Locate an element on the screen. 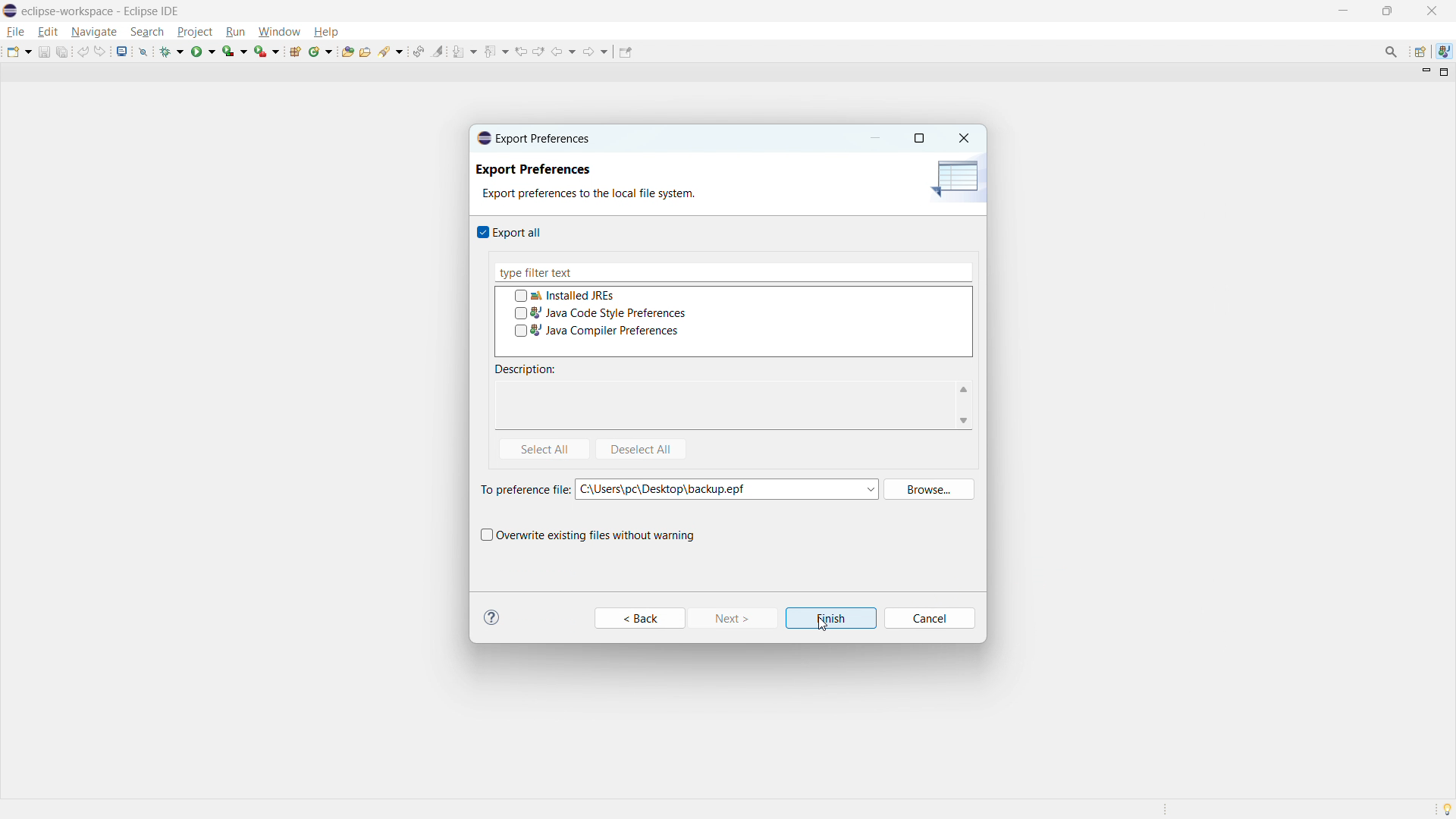 This screenshot has height=819, width=1456. maximize is located at coordinates (923, 136).